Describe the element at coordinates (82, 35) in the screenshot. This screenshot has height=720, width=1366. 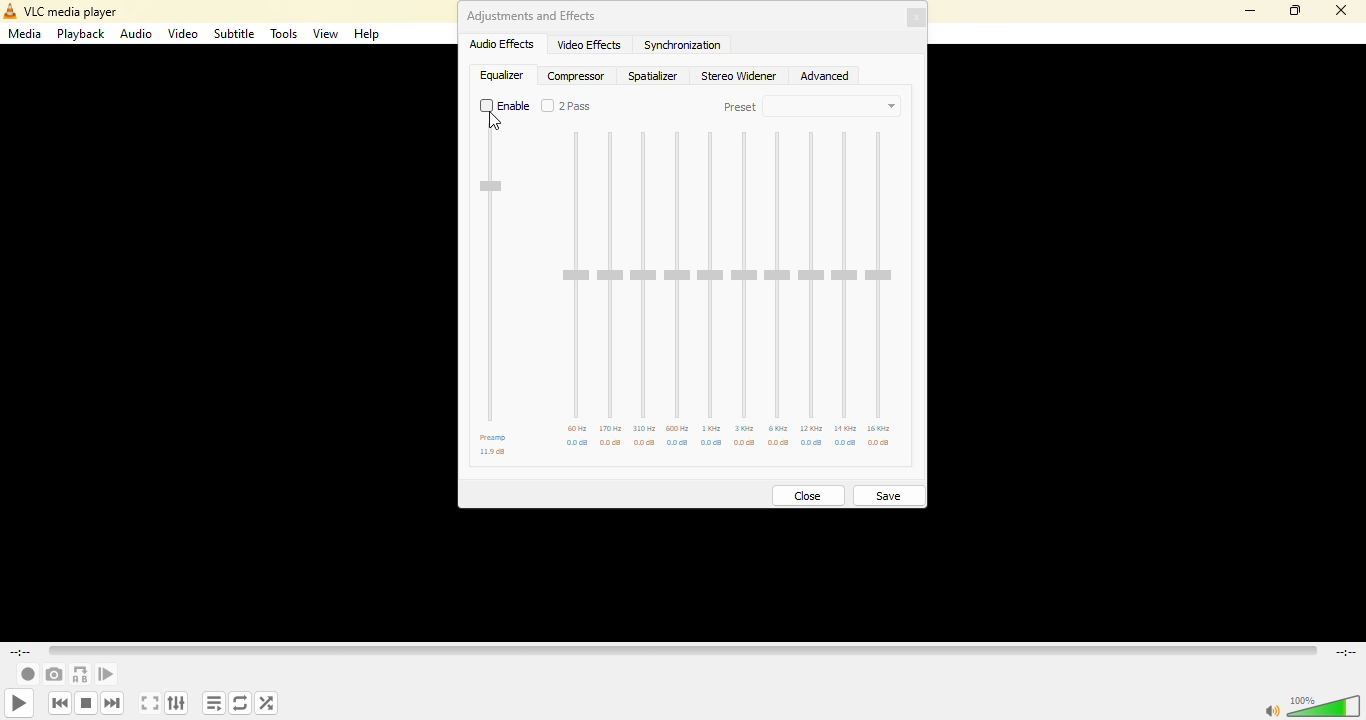
I see `playback` at that location.